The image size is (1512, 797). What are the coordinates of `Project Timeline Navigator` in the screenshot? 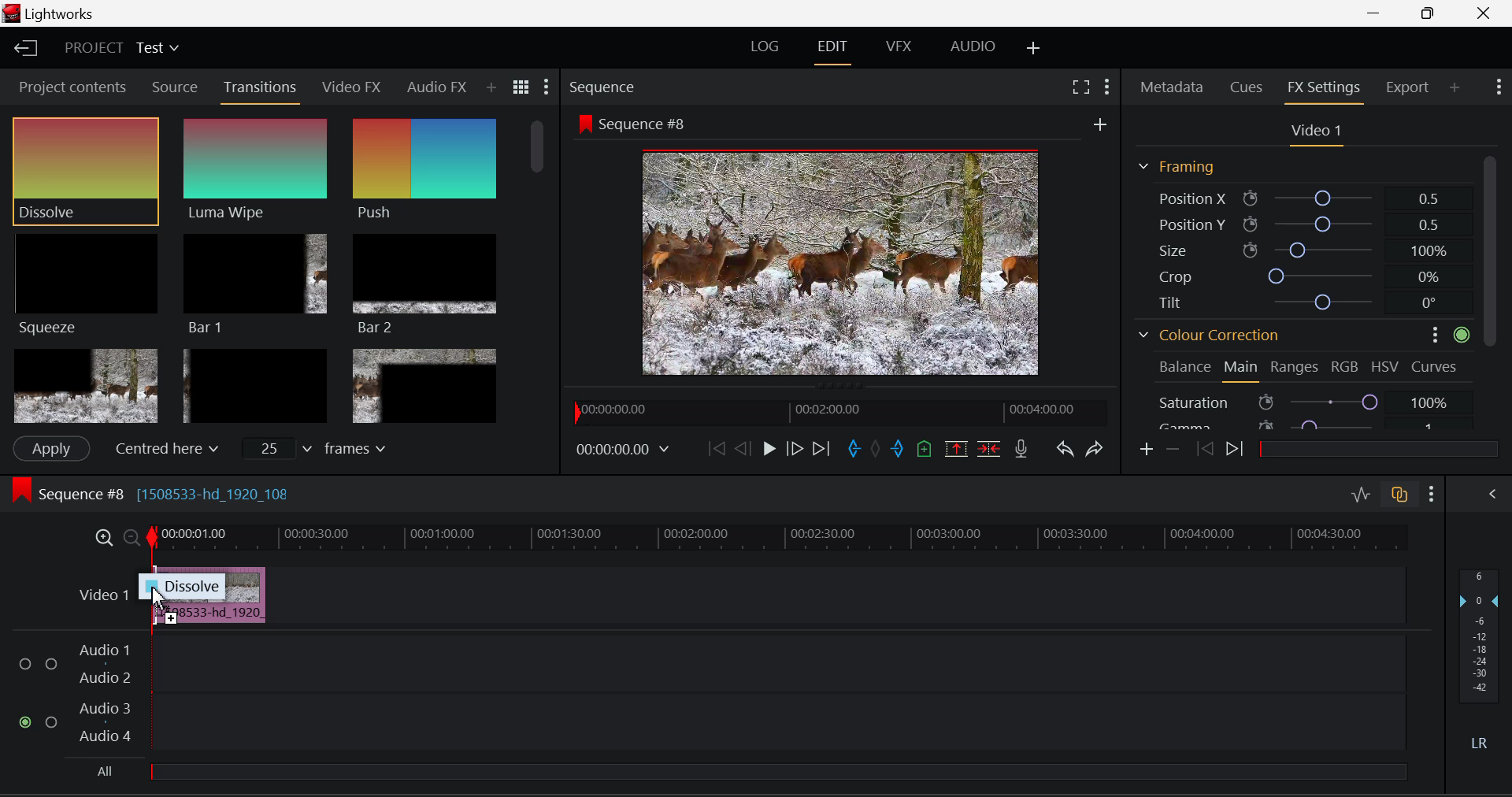 It's located at (841, 410).